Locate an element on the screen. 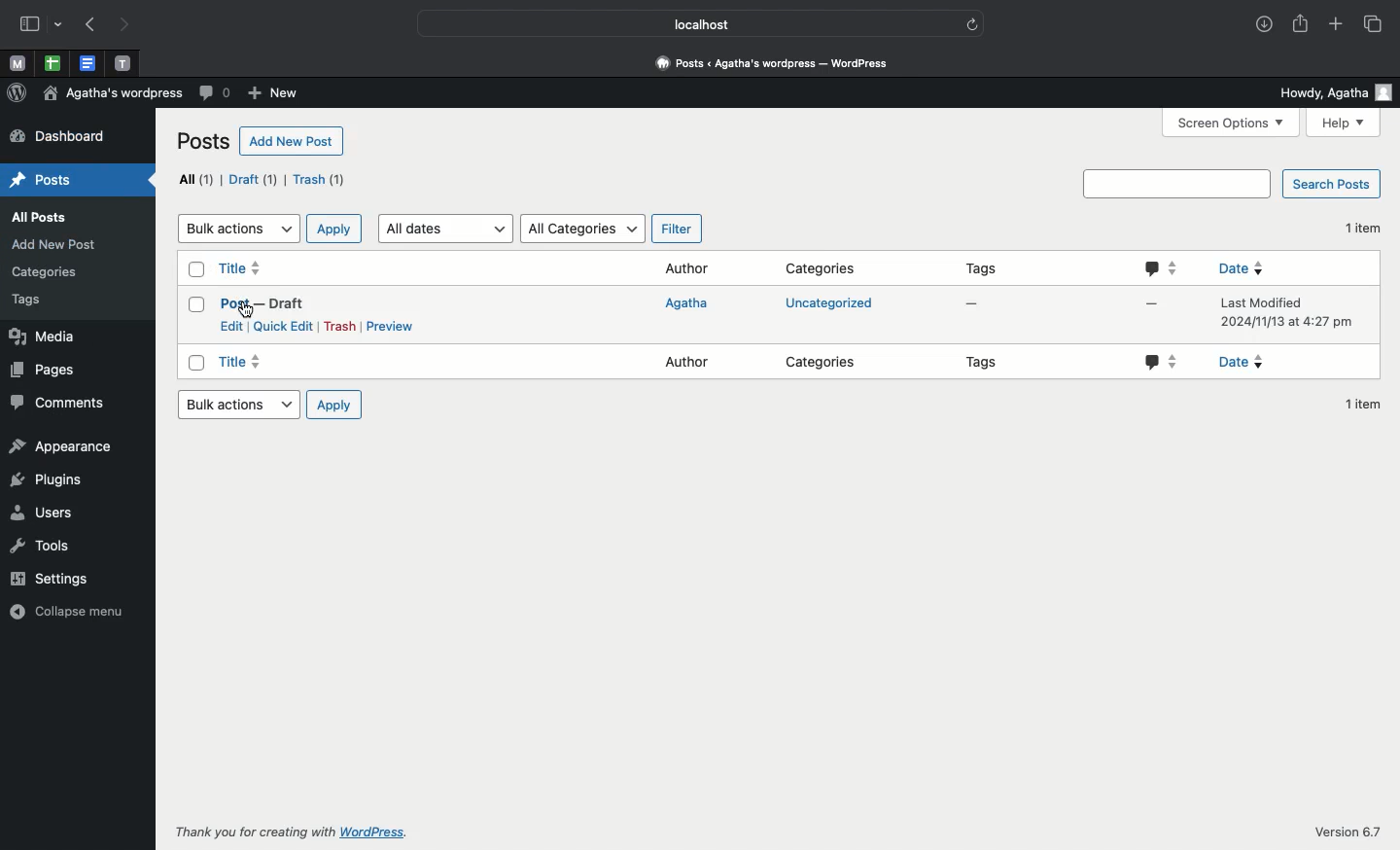 This screenshot has width=1400, height=850. Plugins is located at coordinates (54, 479).